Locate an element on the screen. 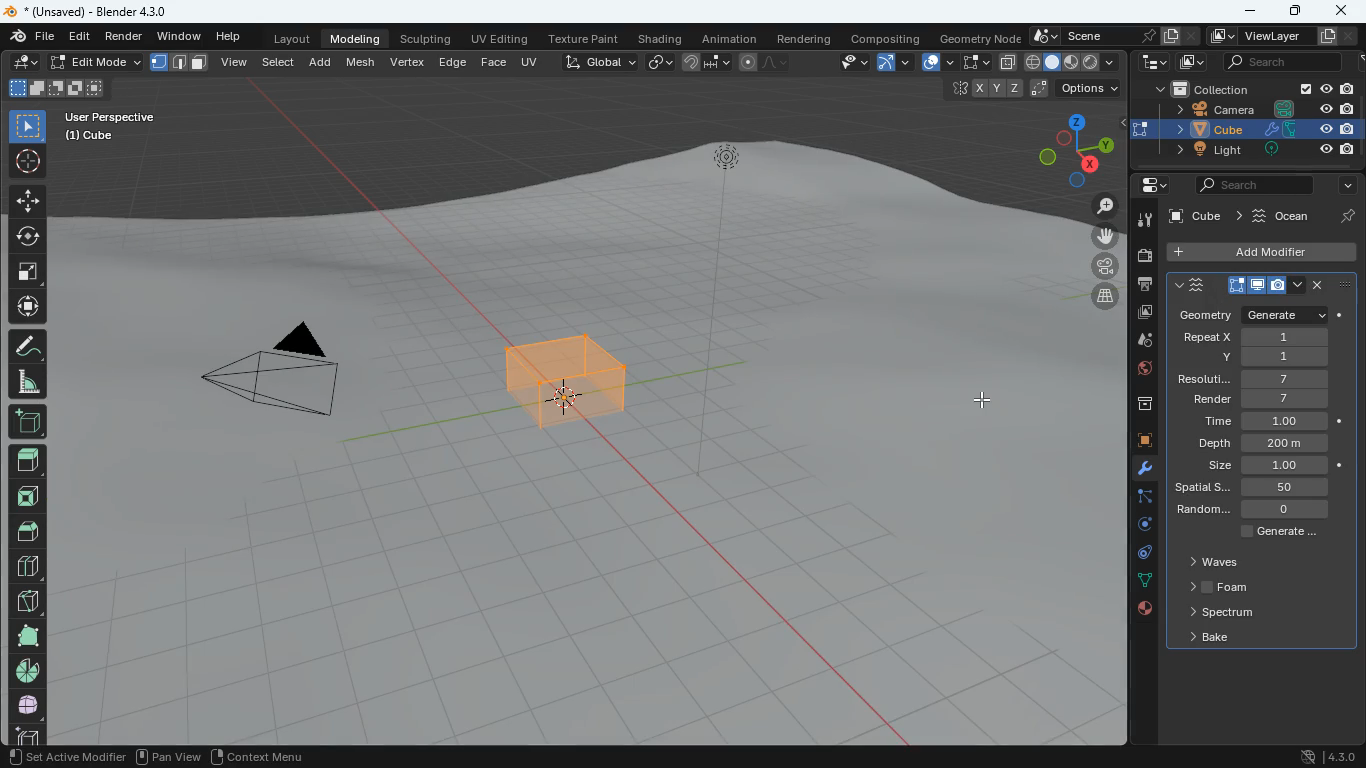 The width and height of the screenshot is (1366, 768). shading is located at coordinates (662, 37).